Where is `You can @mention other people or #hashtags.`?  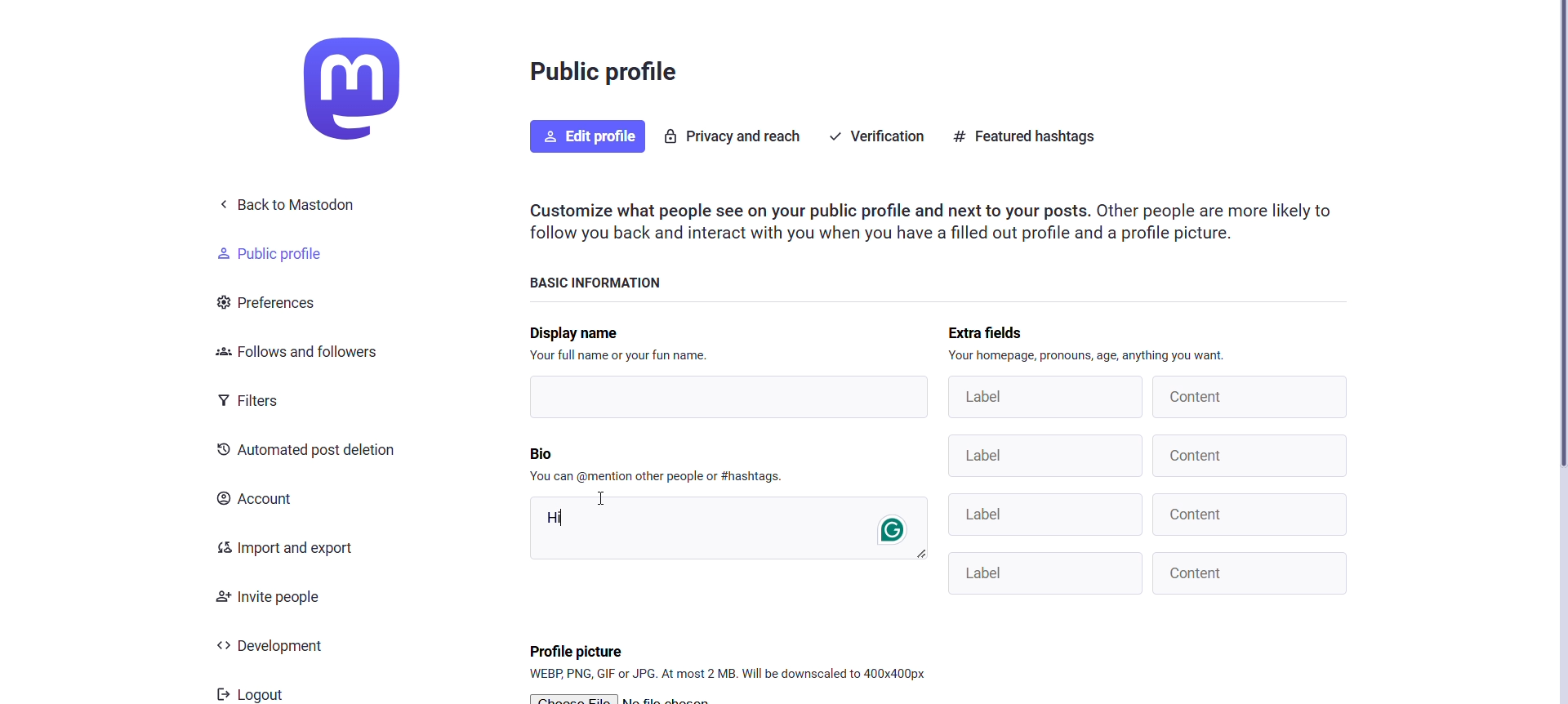
You can @mention other people or #hashtags. is located at coordinates (655, 475).